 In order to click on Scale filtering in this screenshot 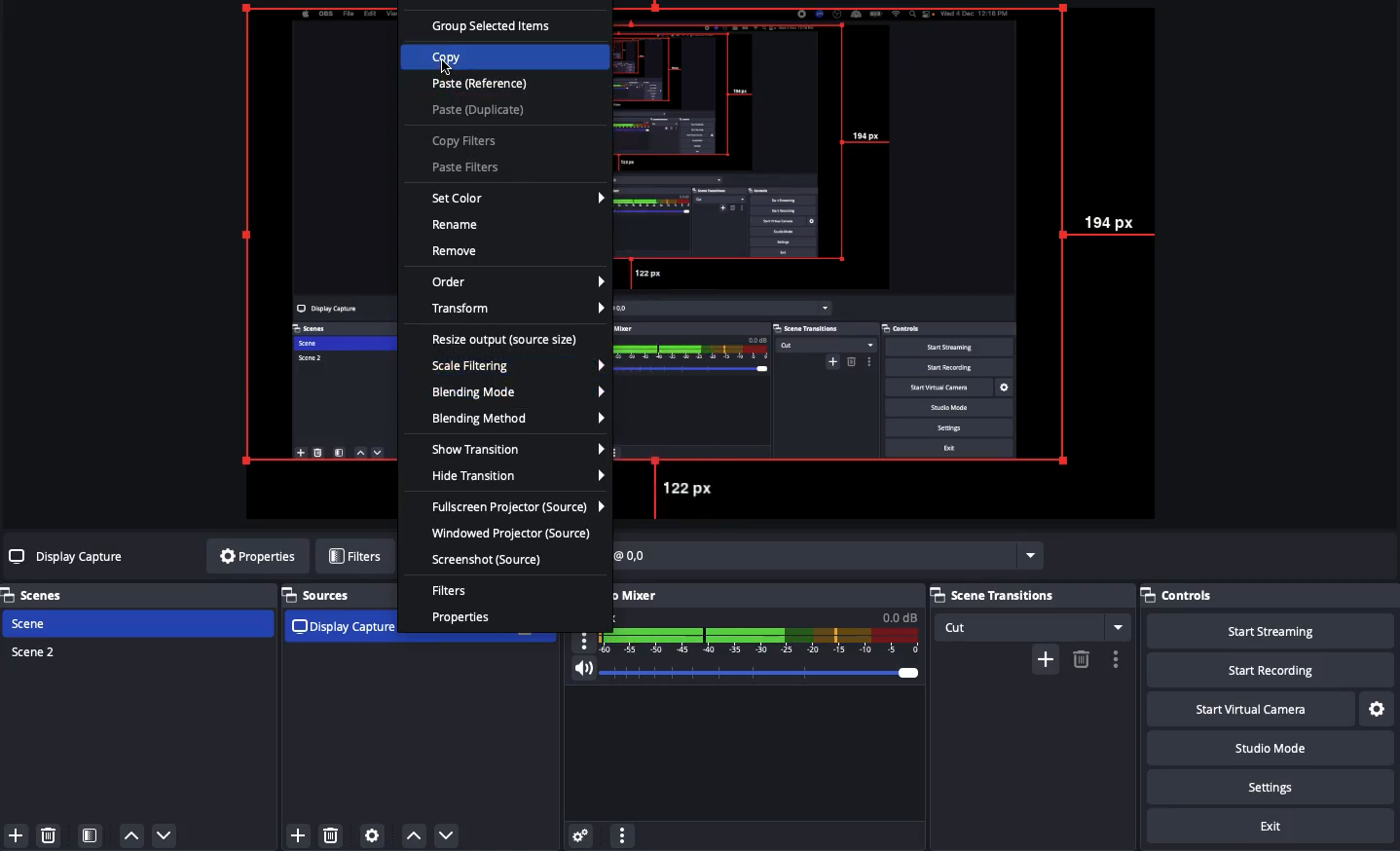, I will do `click(520, 366)`.